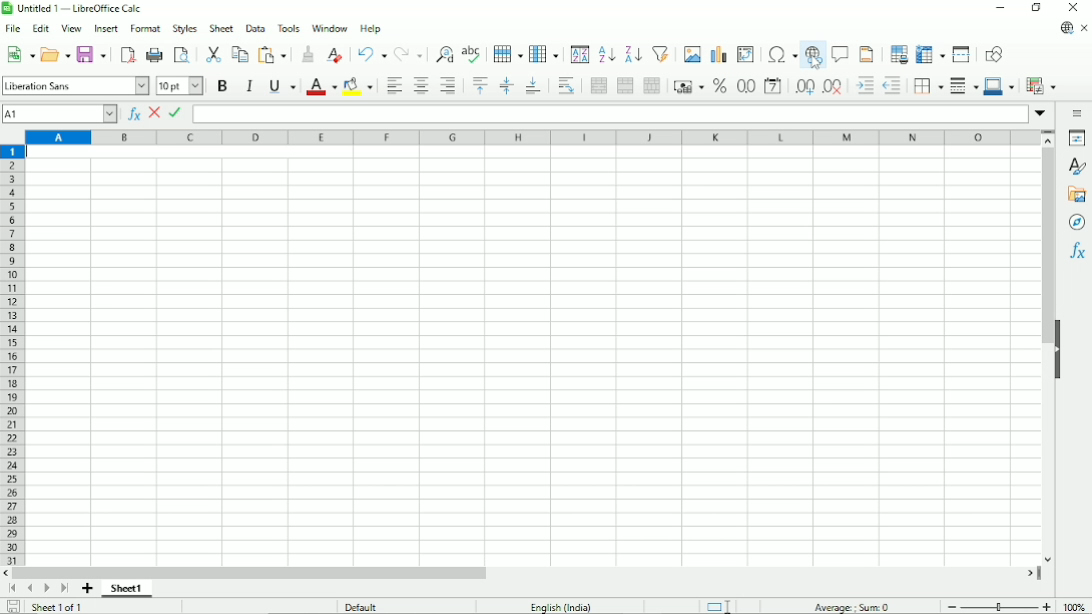  Describe the element at coordinates (546, 54) in the screenshot. I see `Column` at that location.